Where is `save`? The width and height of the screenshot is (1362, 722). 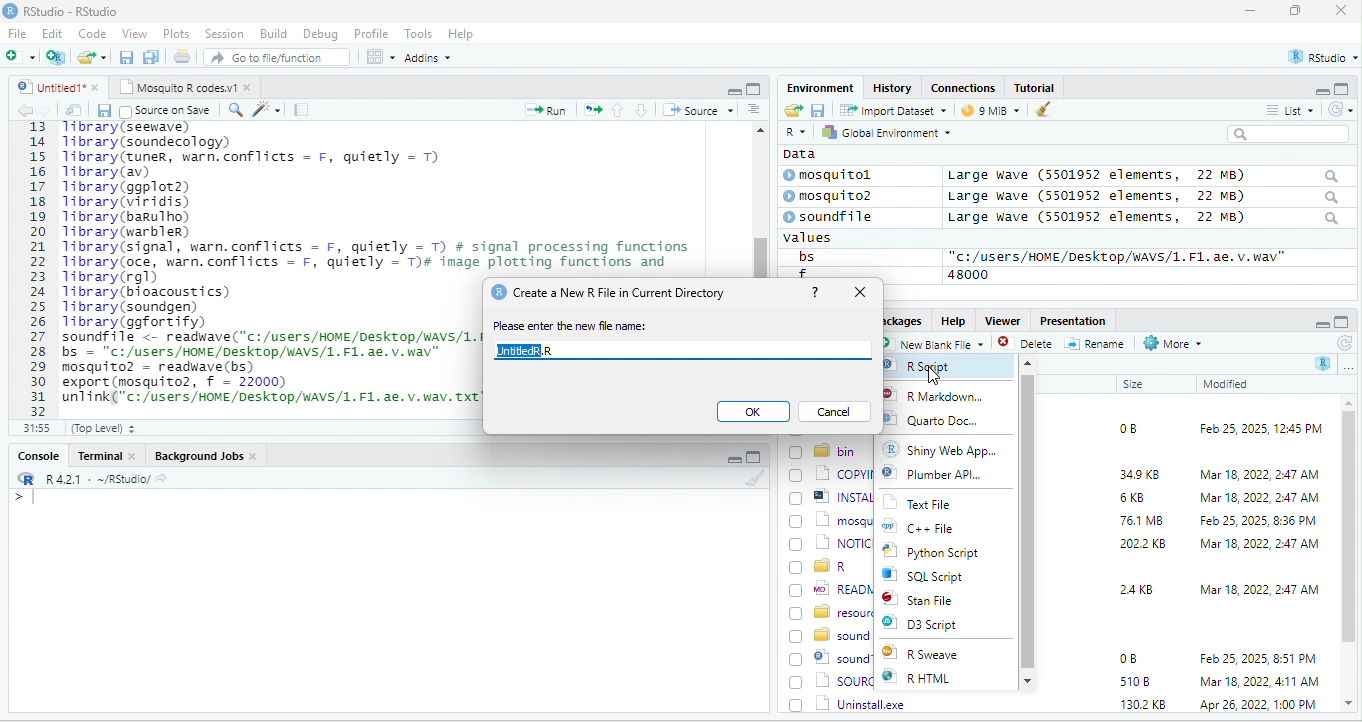
save is located at coordinates (817, 109).